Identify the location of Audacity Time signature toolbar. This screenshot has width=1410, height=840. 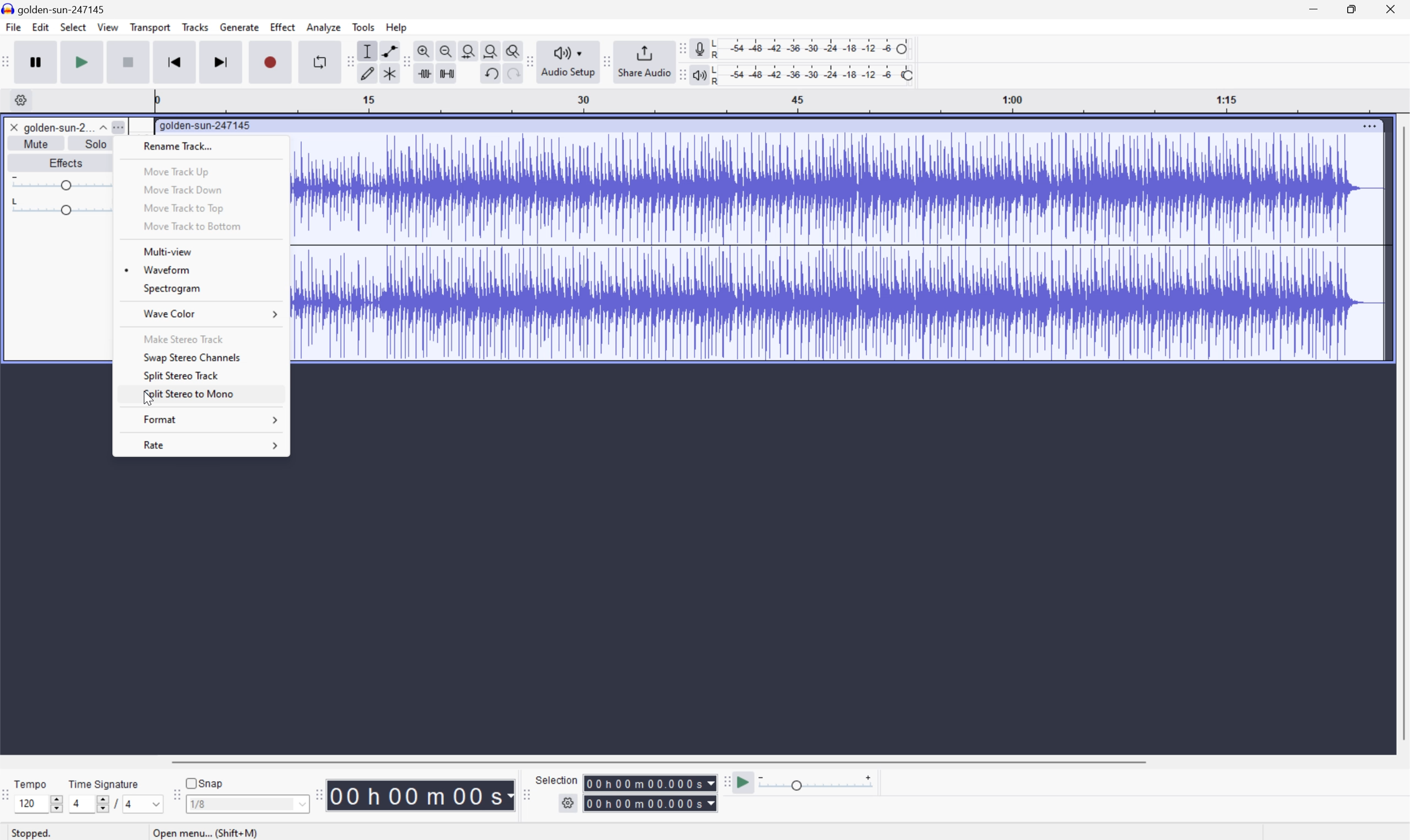
(9, 790).